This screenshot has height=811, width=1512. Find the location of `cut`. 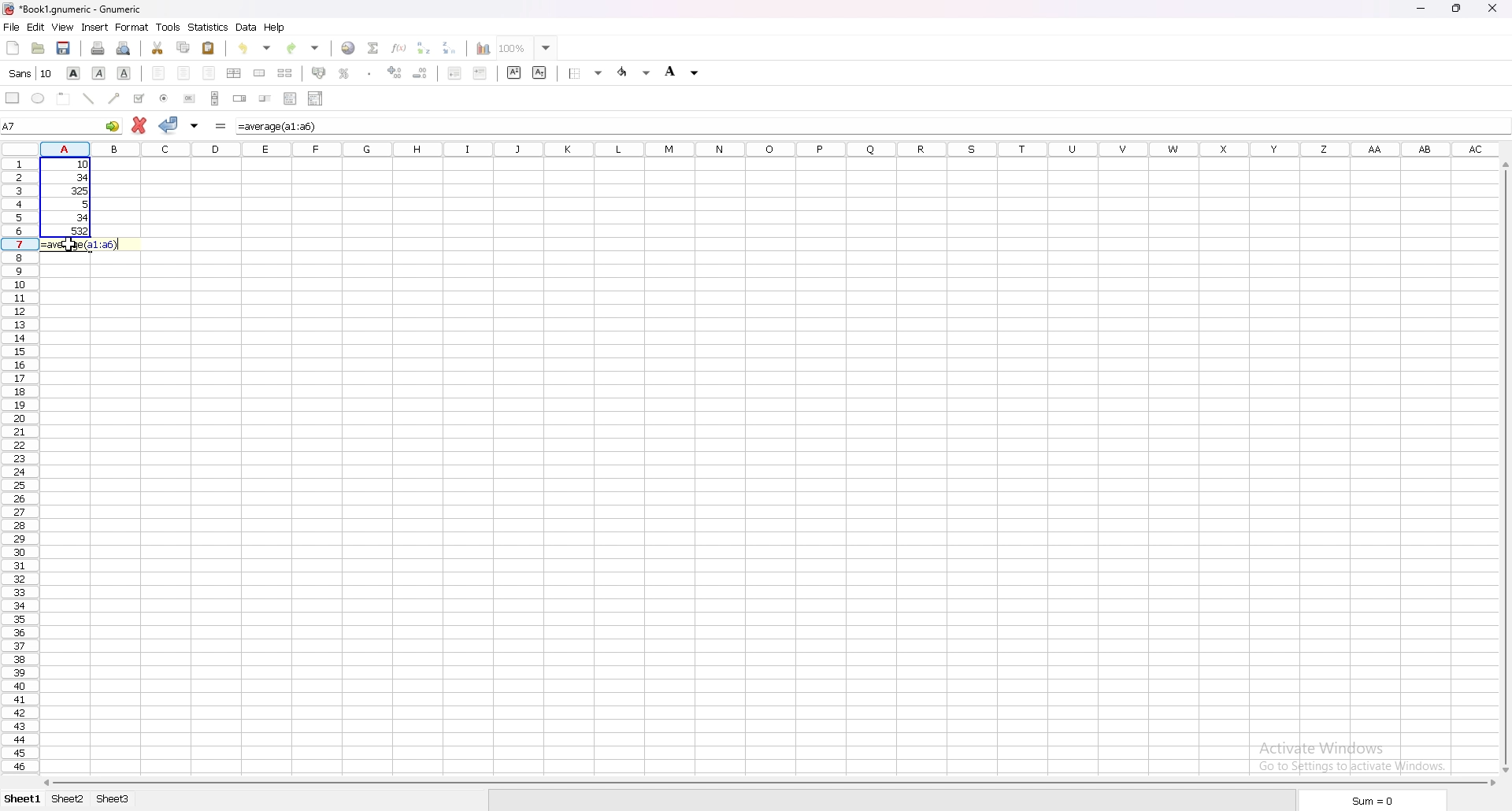

cut is located at coordinates (157, 48).